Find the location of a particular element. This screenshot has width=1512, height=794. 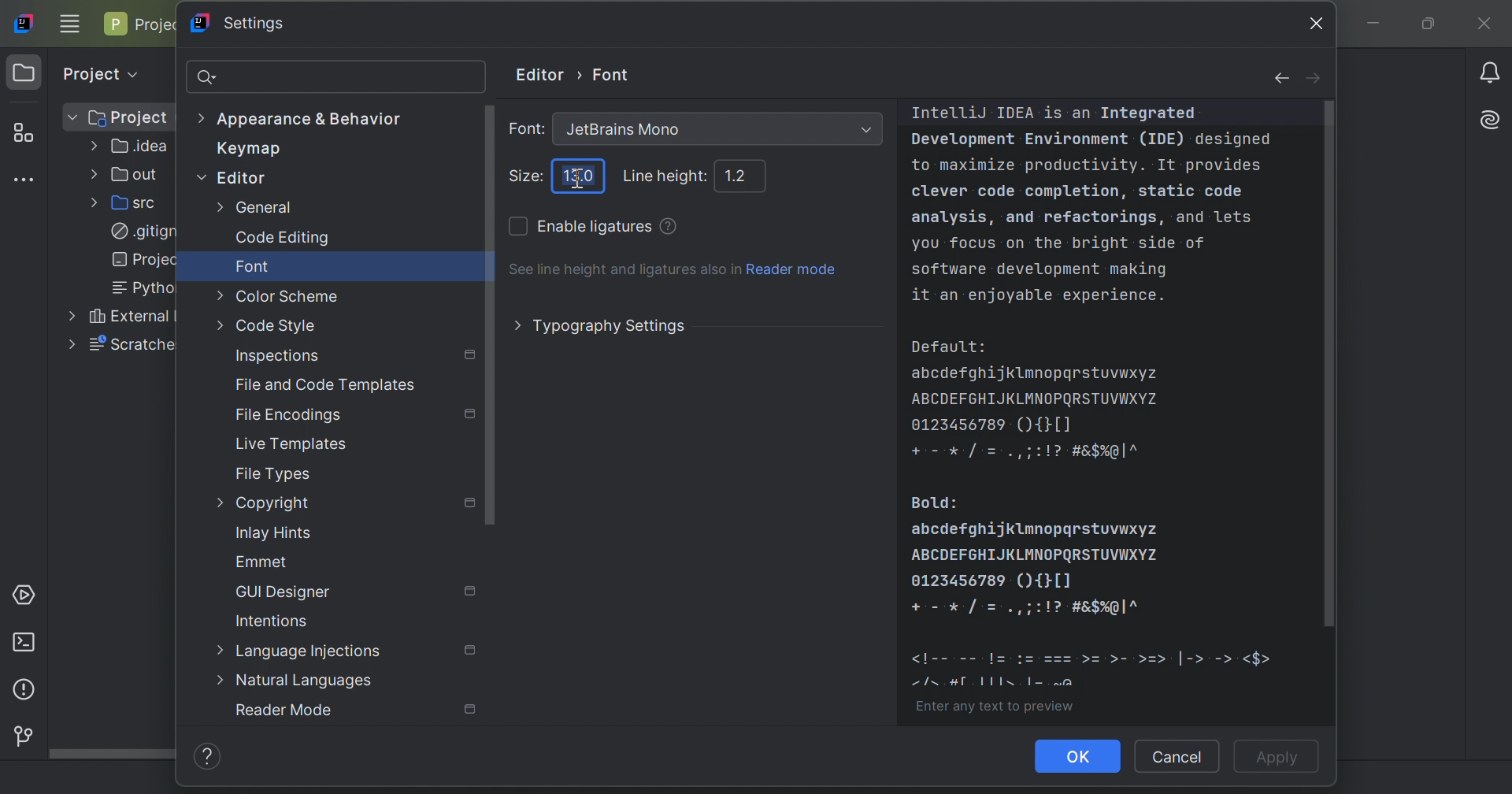

Cancel is located at coordinates (1177, 756).